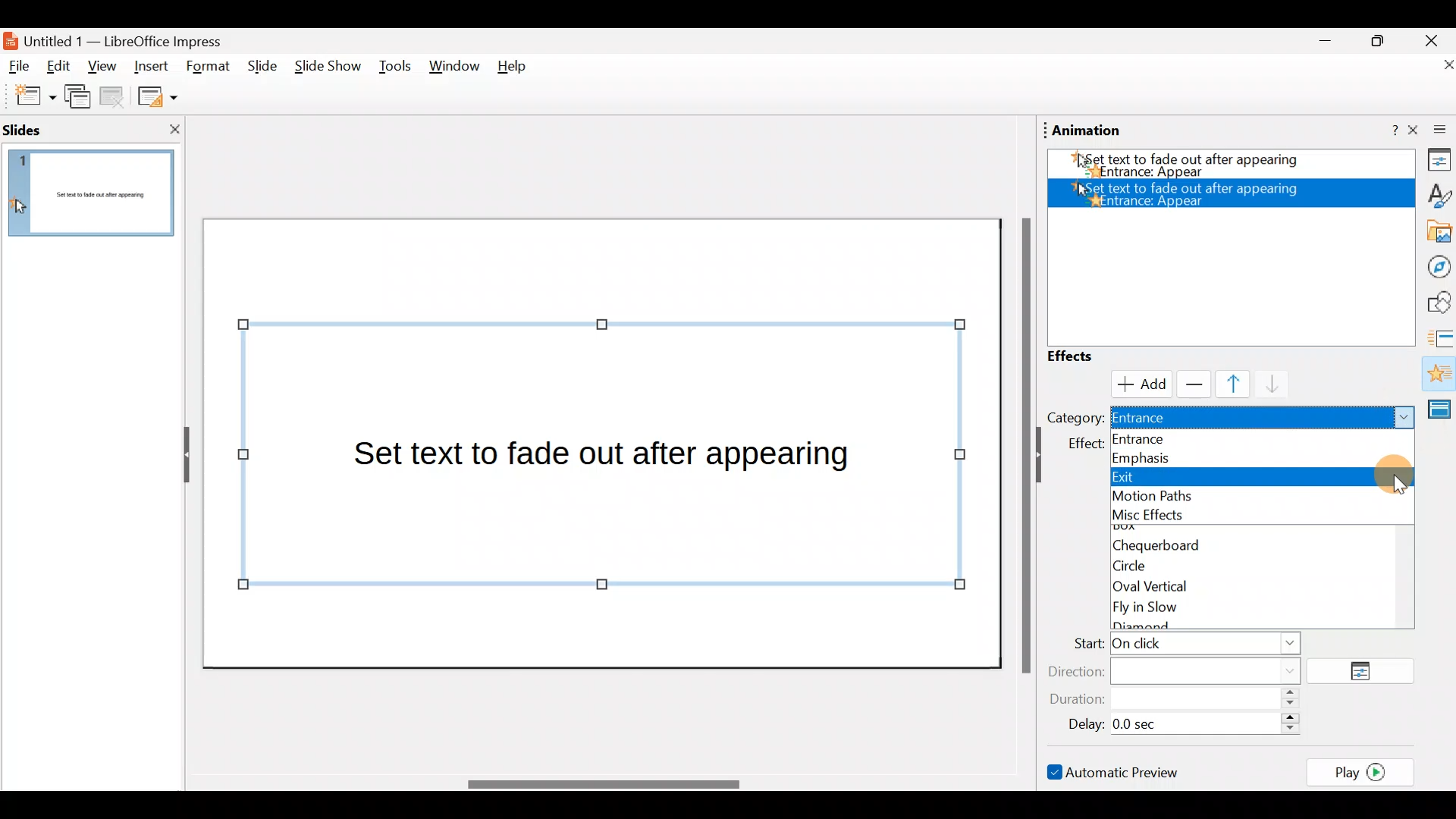 The image size is (1456, 819). Describe the element at coordinates (102, 71) in the screenshot. I see `View` at that location.